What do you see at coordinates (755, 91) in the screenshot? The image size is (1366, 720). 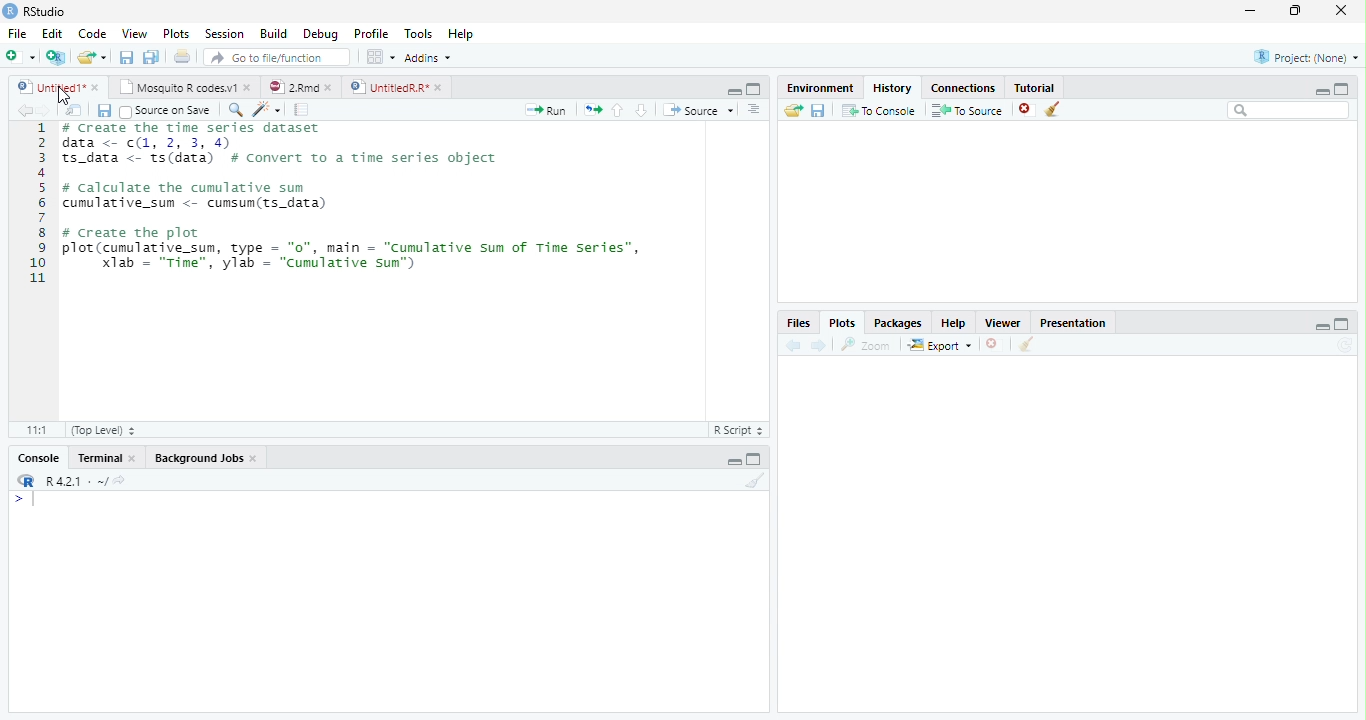 I see `Maximize` at bounding box center [755, 91].